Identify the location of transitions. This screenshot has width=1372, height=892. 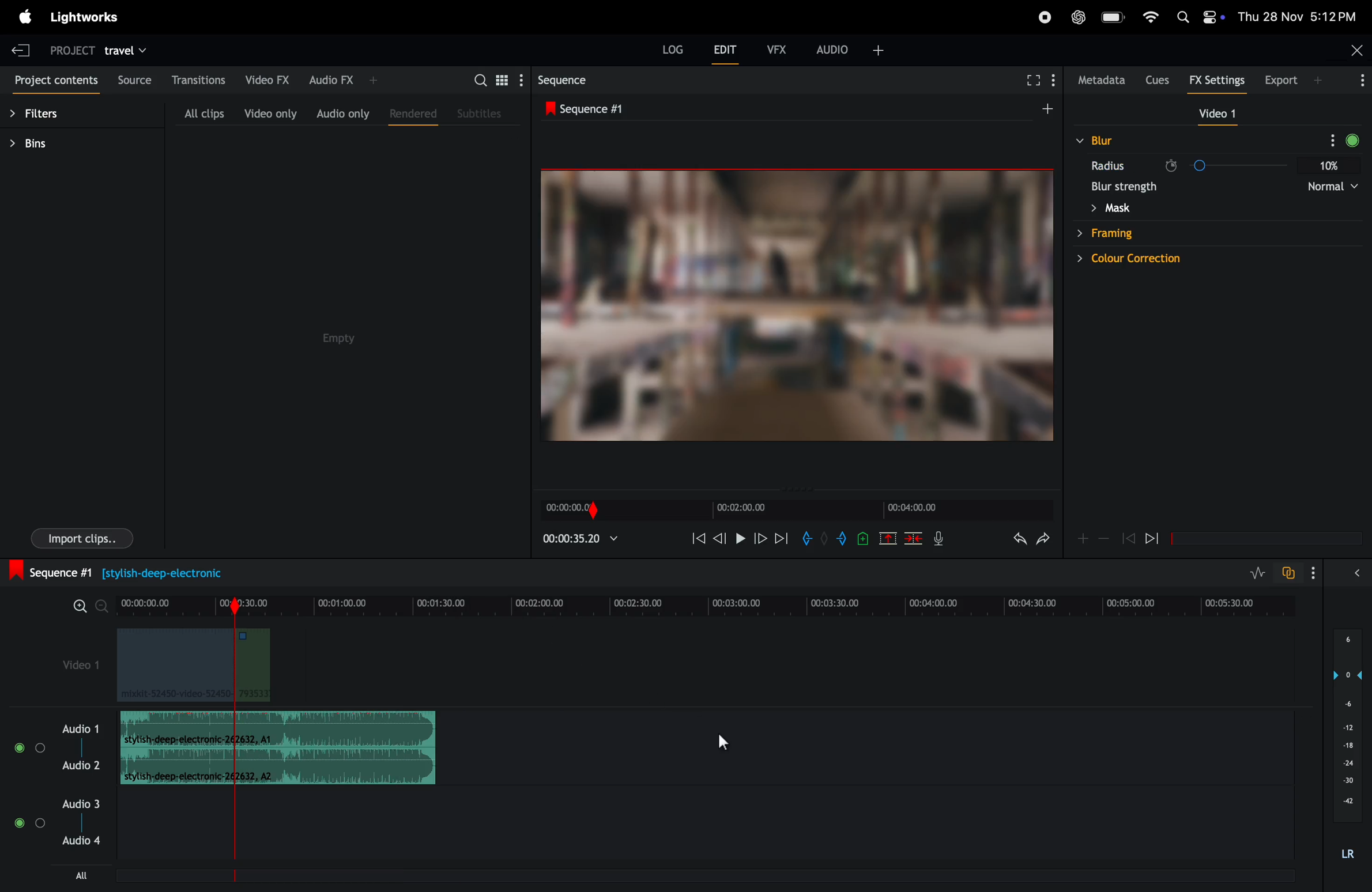
(201, 80).